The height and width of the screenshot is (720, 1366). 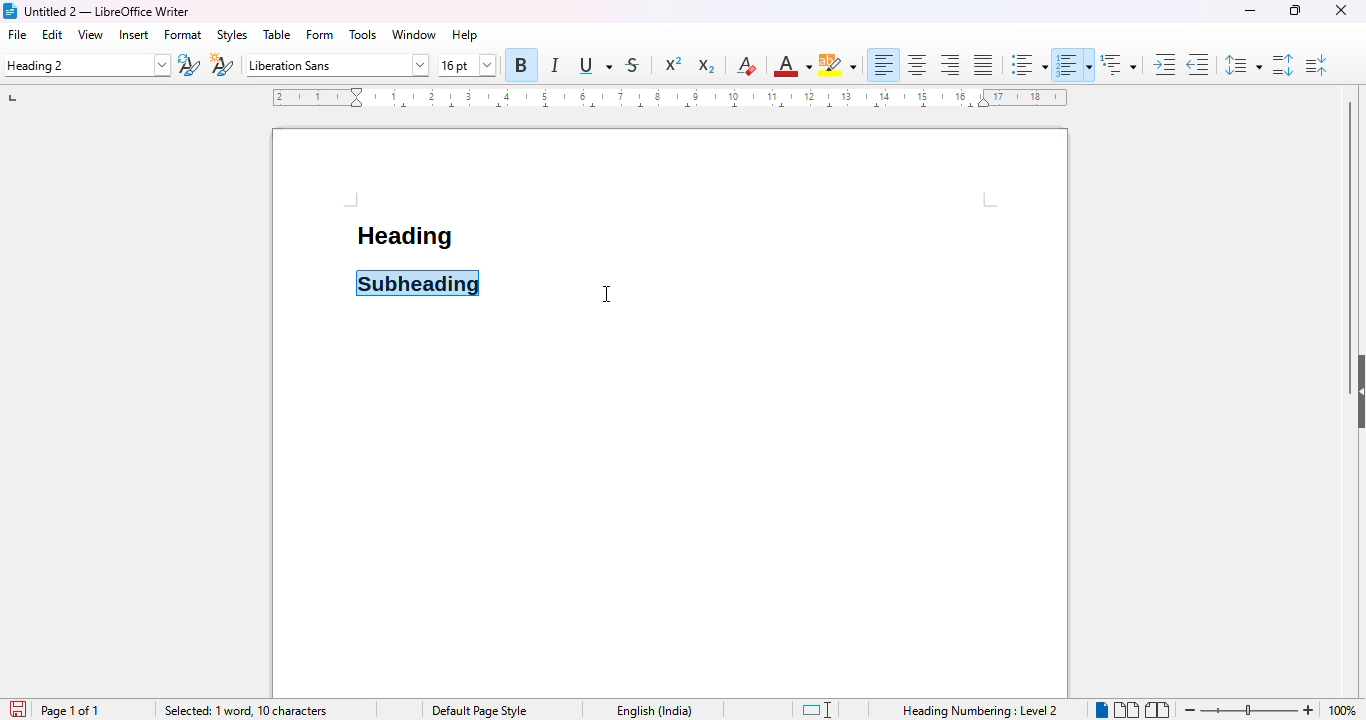 I want to click on book view, so click(x=1158, y=708).